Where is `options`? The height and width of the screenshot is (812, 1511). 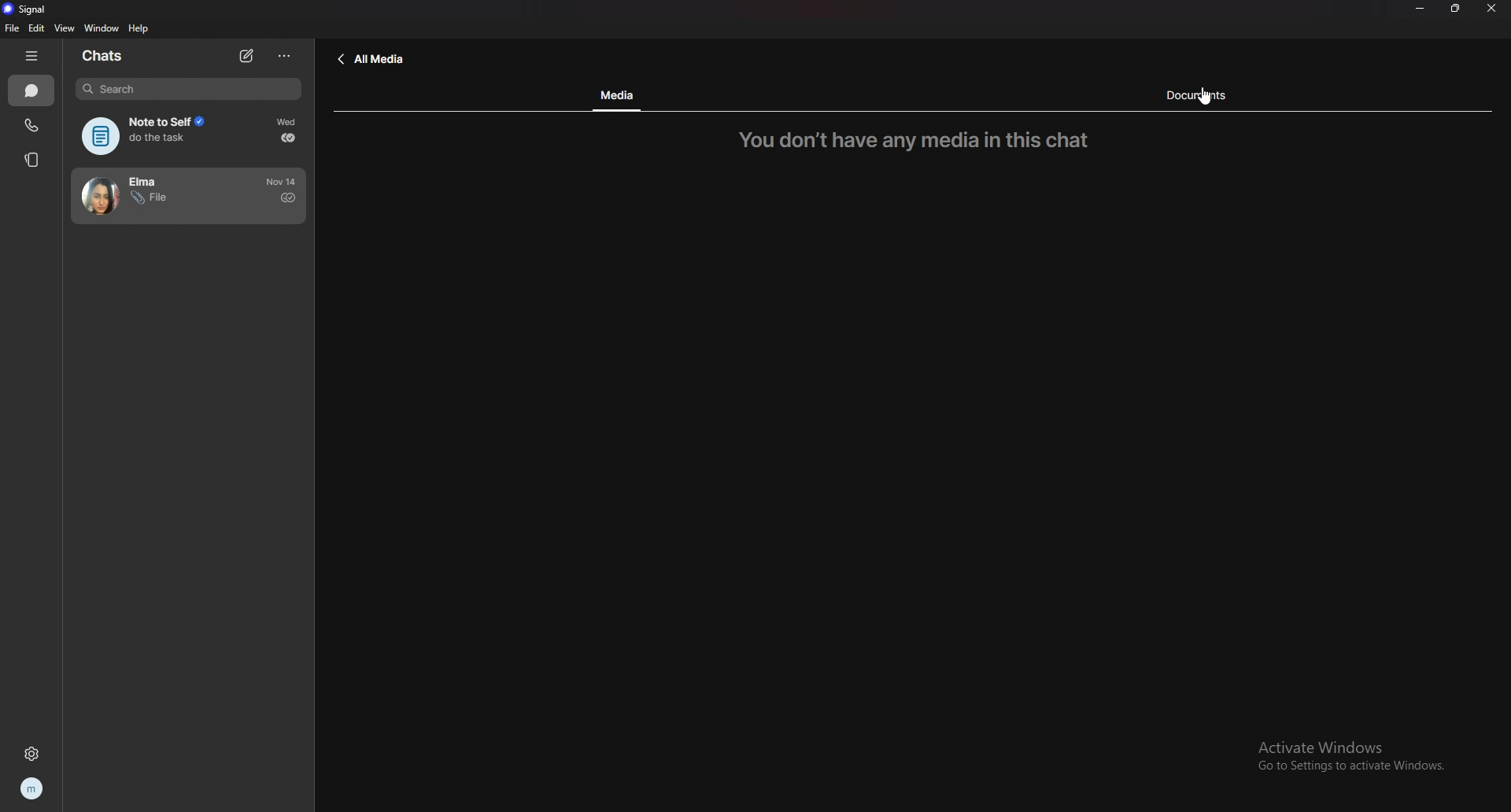
options is located at coordinates (286, 56).